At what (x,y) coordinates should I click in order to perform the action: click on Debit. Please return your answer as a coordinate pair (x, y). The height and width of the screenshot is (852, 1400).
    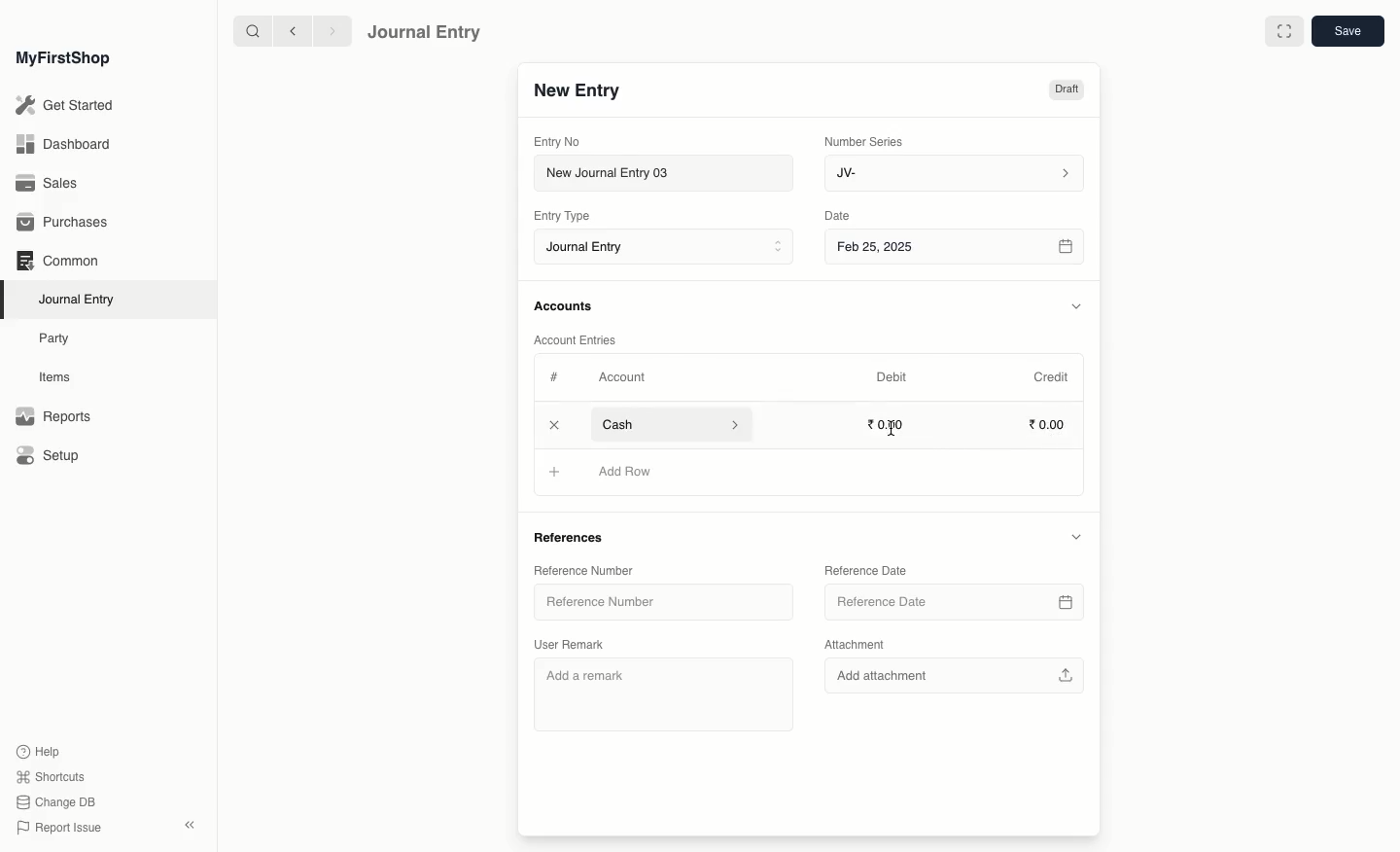
    Looking at the image, I should click on (892, 376).